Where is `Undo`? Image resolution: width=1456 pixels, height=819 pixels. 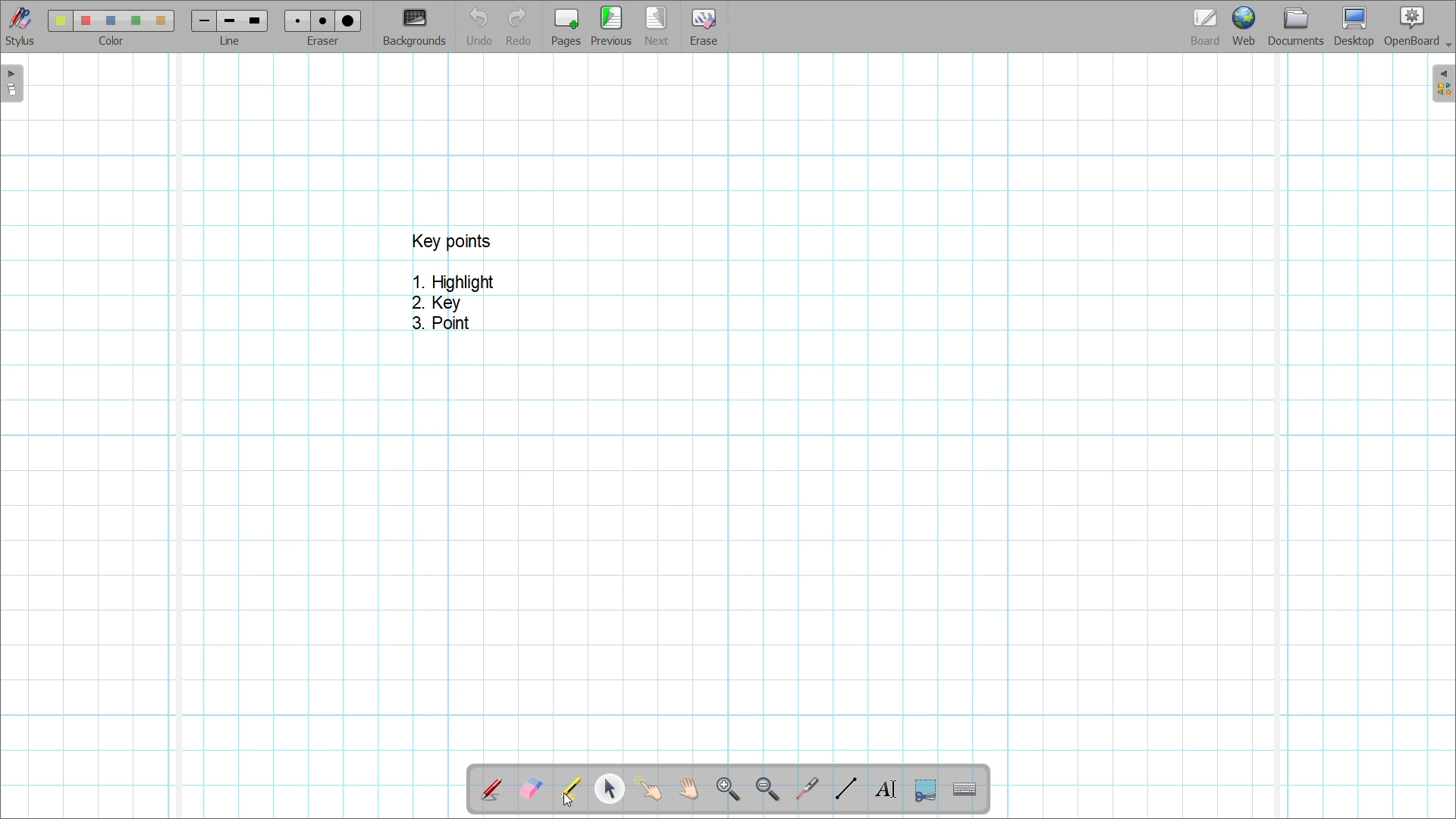 Undo is located at coordinates (480, 26).